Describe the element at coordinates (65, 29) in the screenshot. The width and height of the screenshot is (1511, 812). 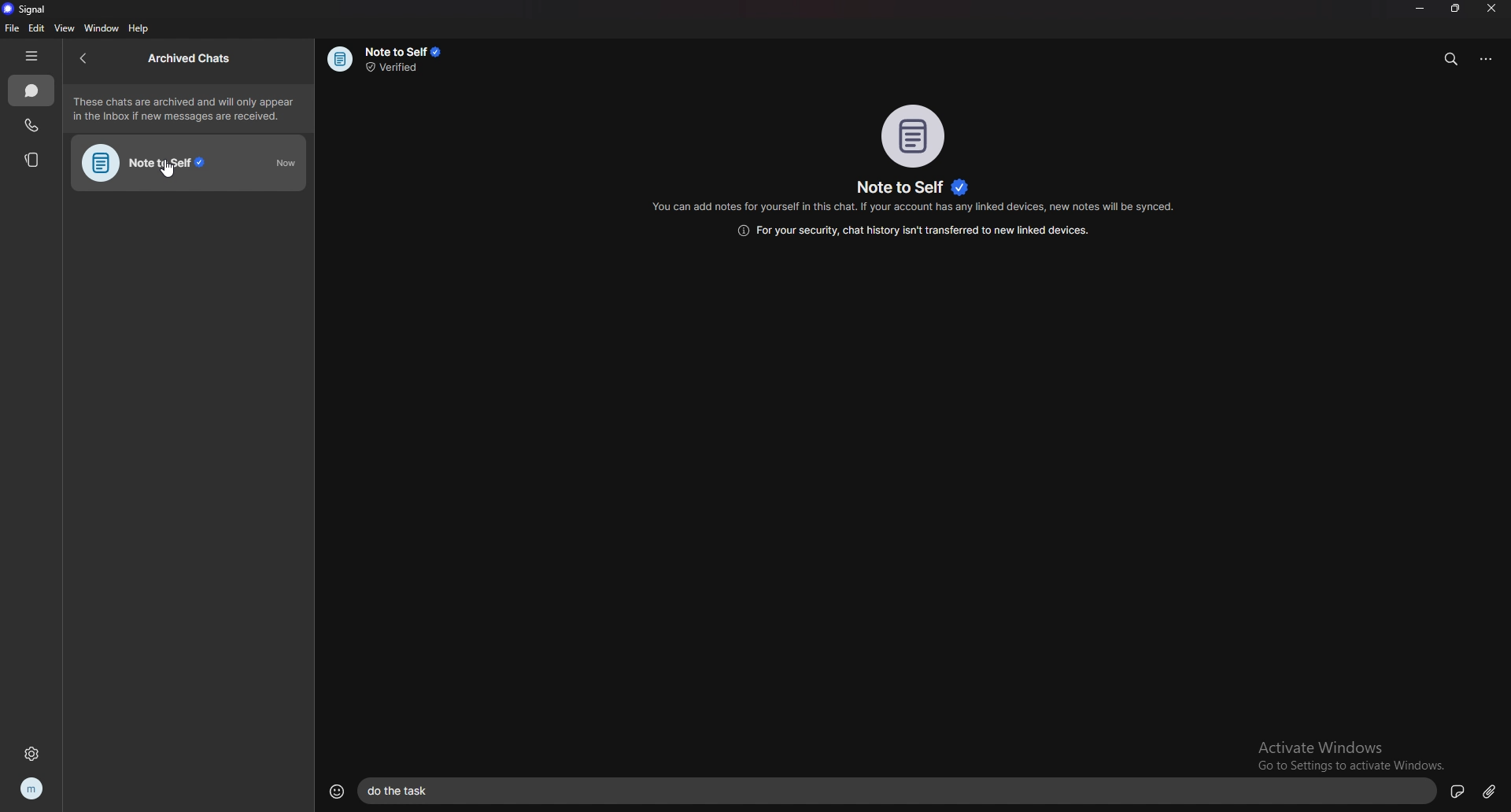
I see `view` at that location.